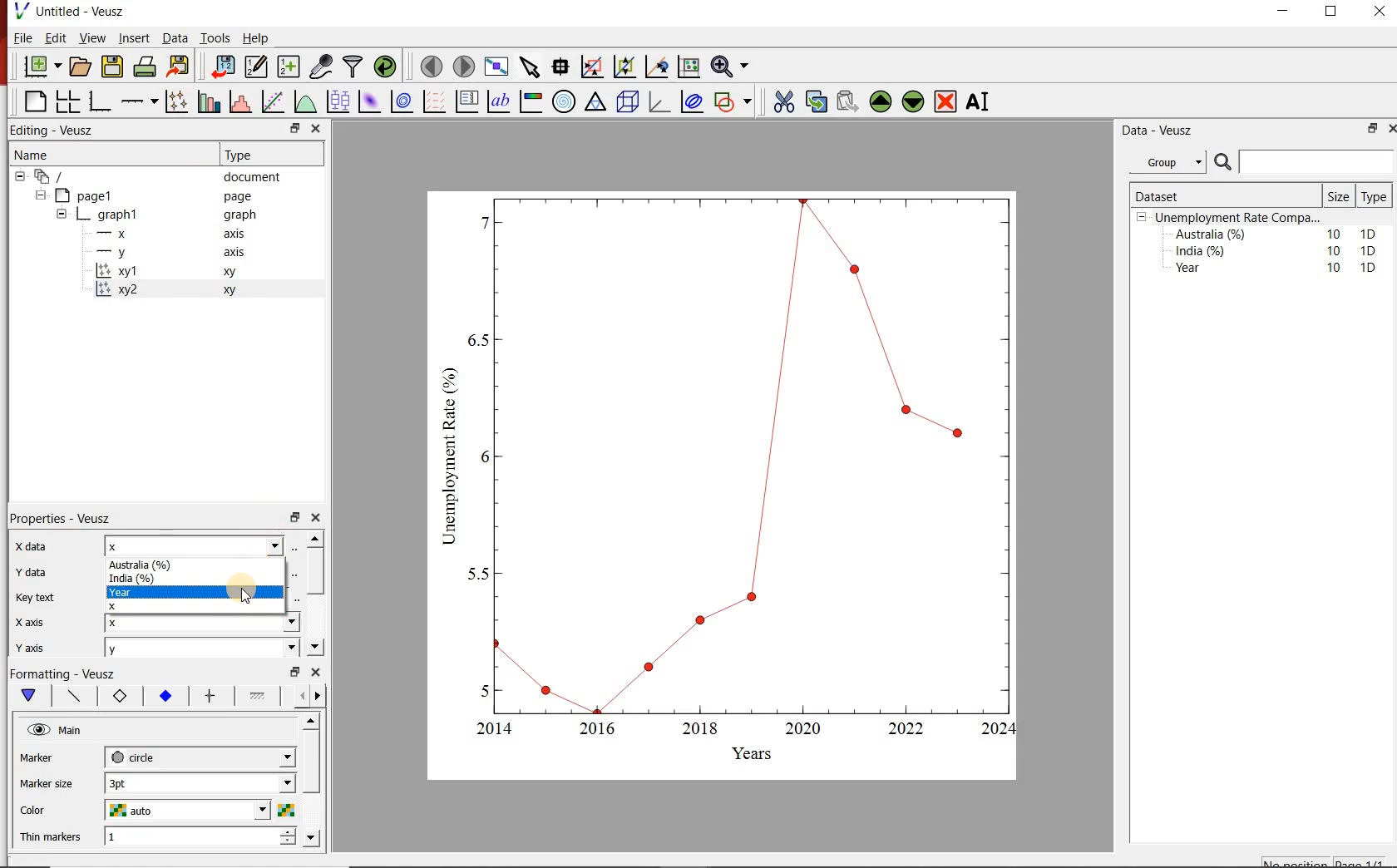 This screenshot has width=1397, height=868. Describe the element at coordinates (733, 65) in the screenshot. I see `zoom funtions` at that location.